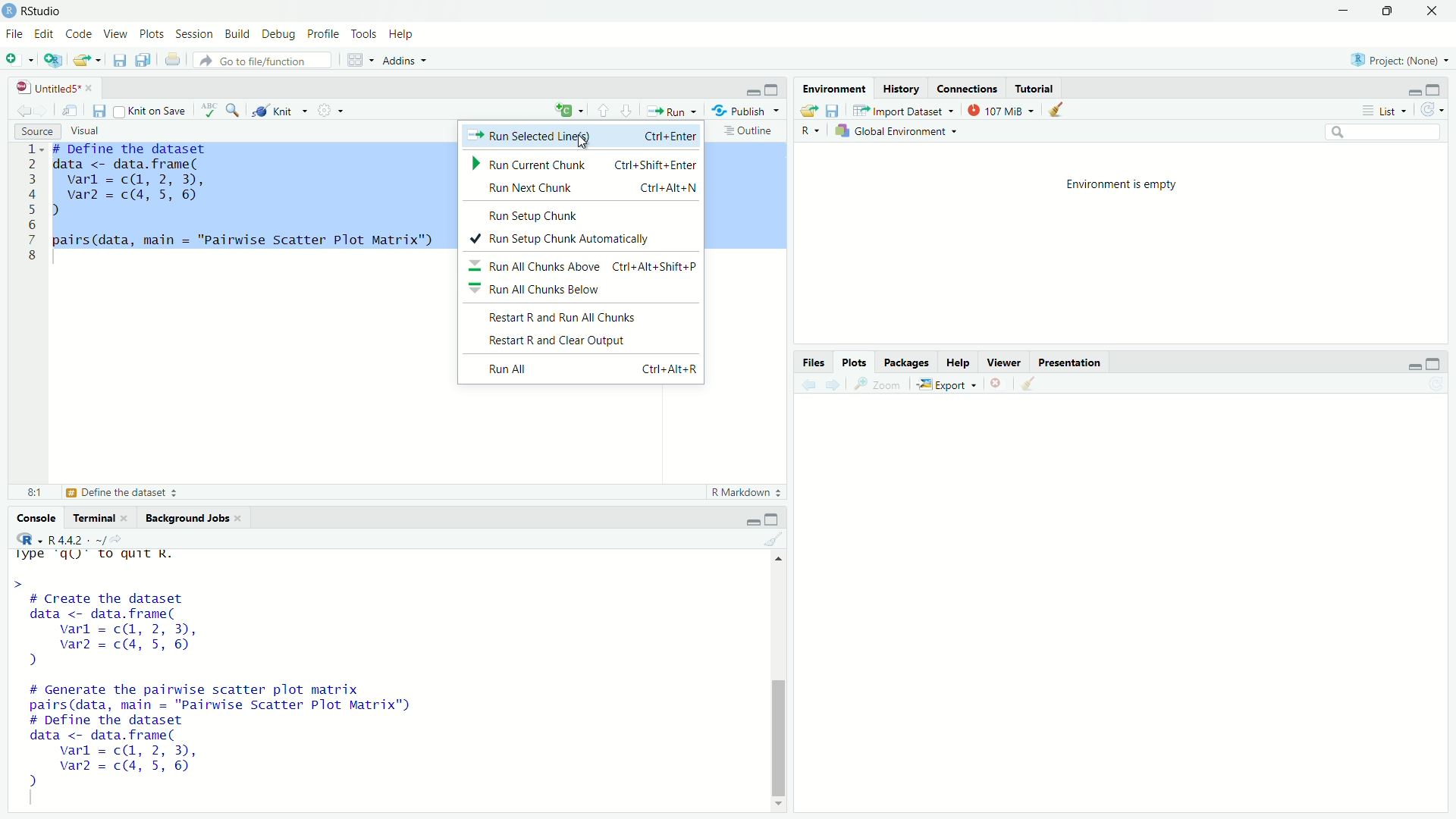 The width and height of the screenshot is (1456, 819). Describe the element at coordinates (76, 538) in the screenshot. I see `R 4.4.2 ~/` at that location.